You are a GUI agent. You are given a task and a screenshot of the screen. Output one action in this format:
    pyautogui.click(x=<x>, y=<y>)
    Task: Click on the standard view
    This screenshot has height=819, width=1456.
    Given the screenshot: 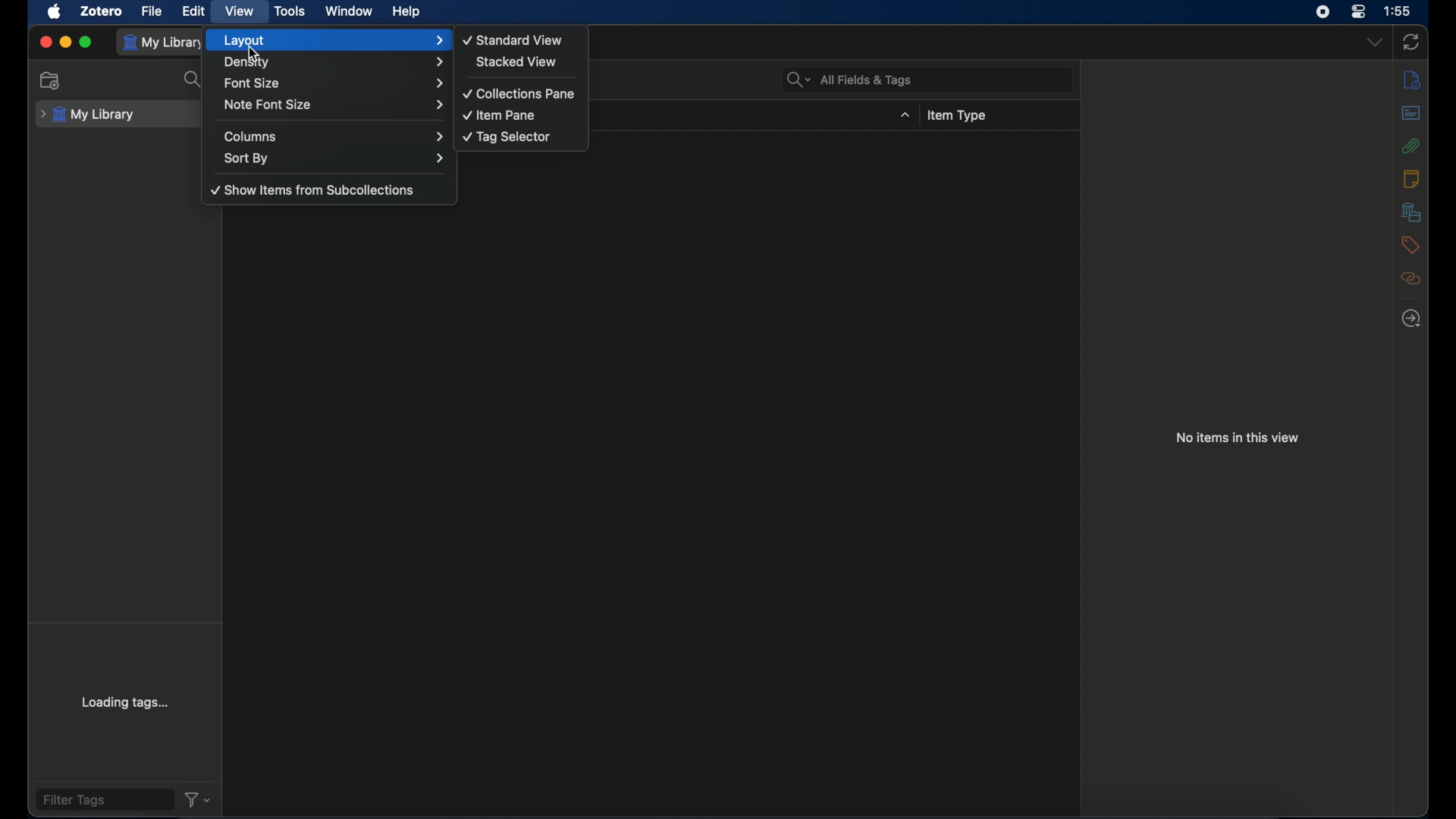 What is the action you would take?
    pyautogui.click(x=513, y=39)
    